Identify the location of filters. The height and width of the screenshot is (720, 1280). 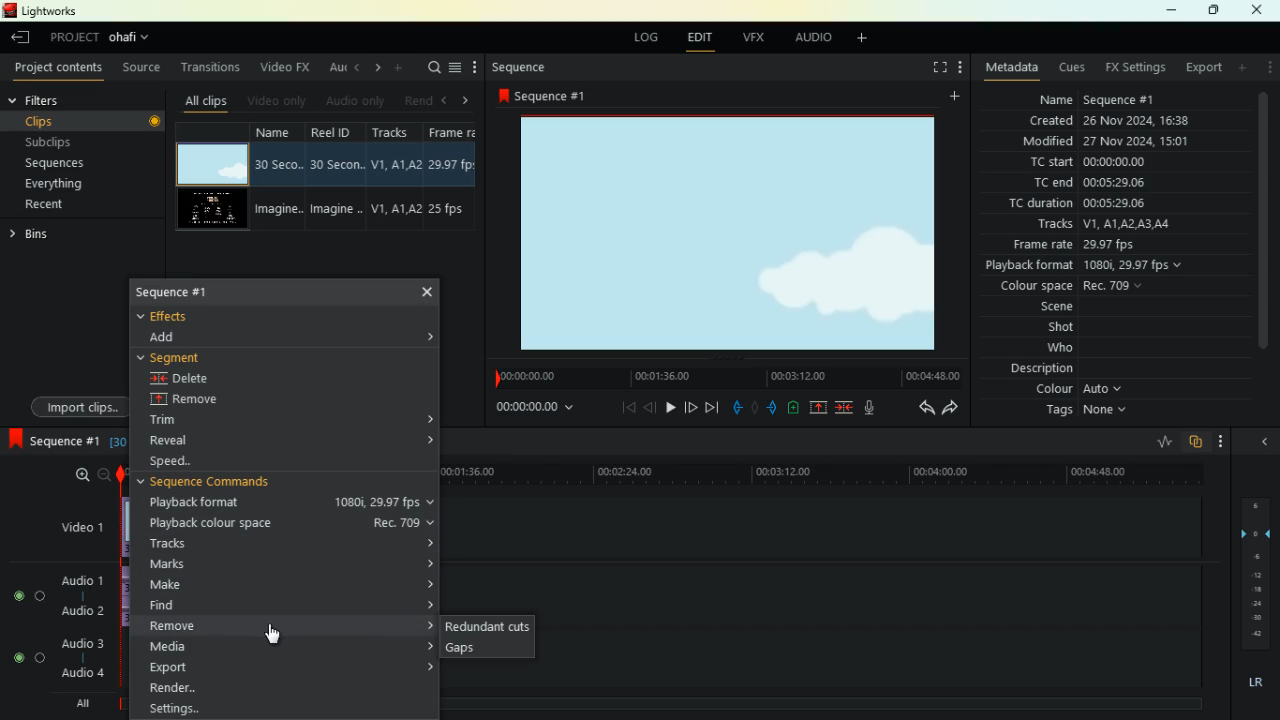
(55, 101).